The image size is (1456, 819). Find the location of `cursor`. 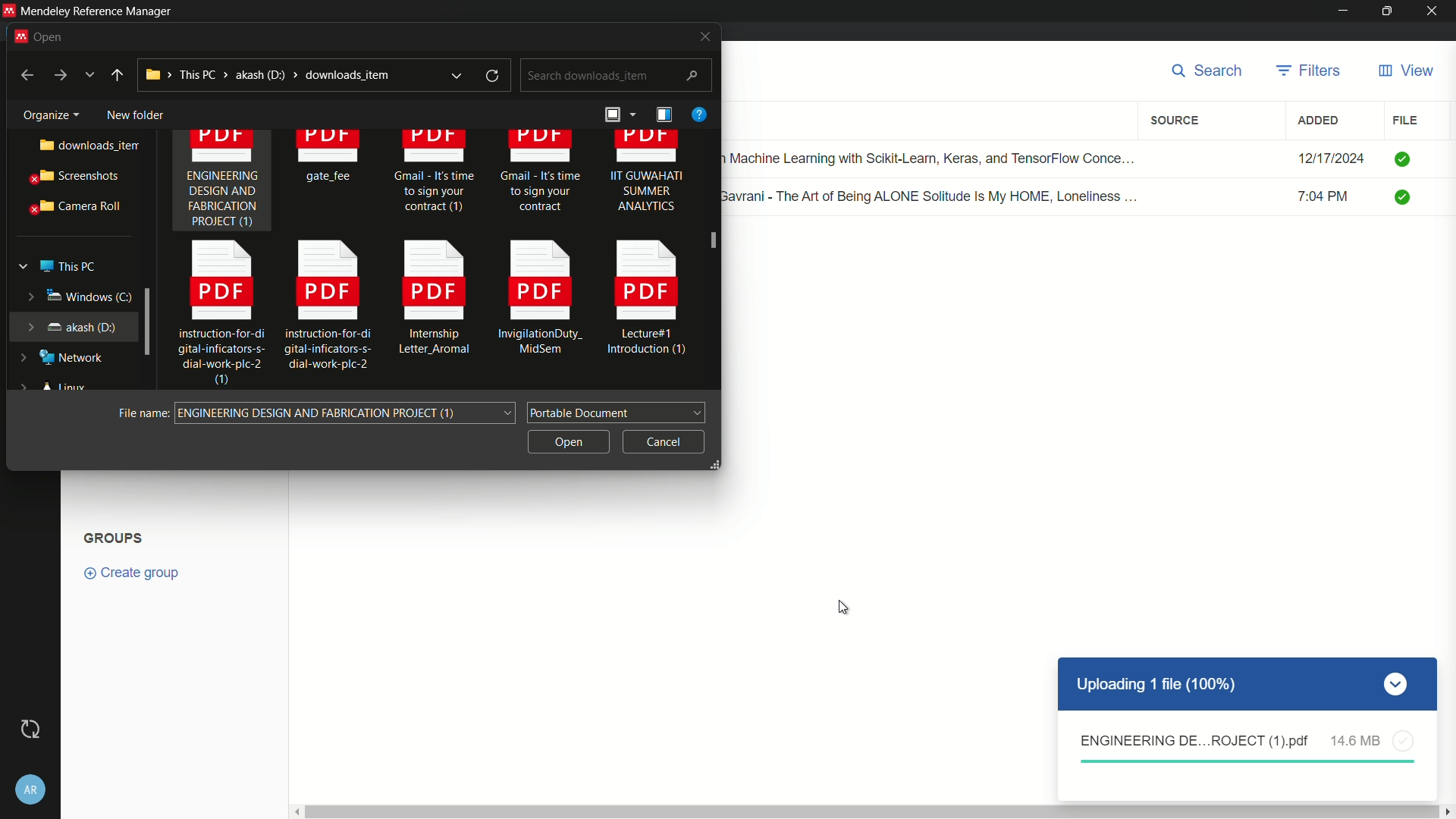

cursor is located at coordinates (717, 237).